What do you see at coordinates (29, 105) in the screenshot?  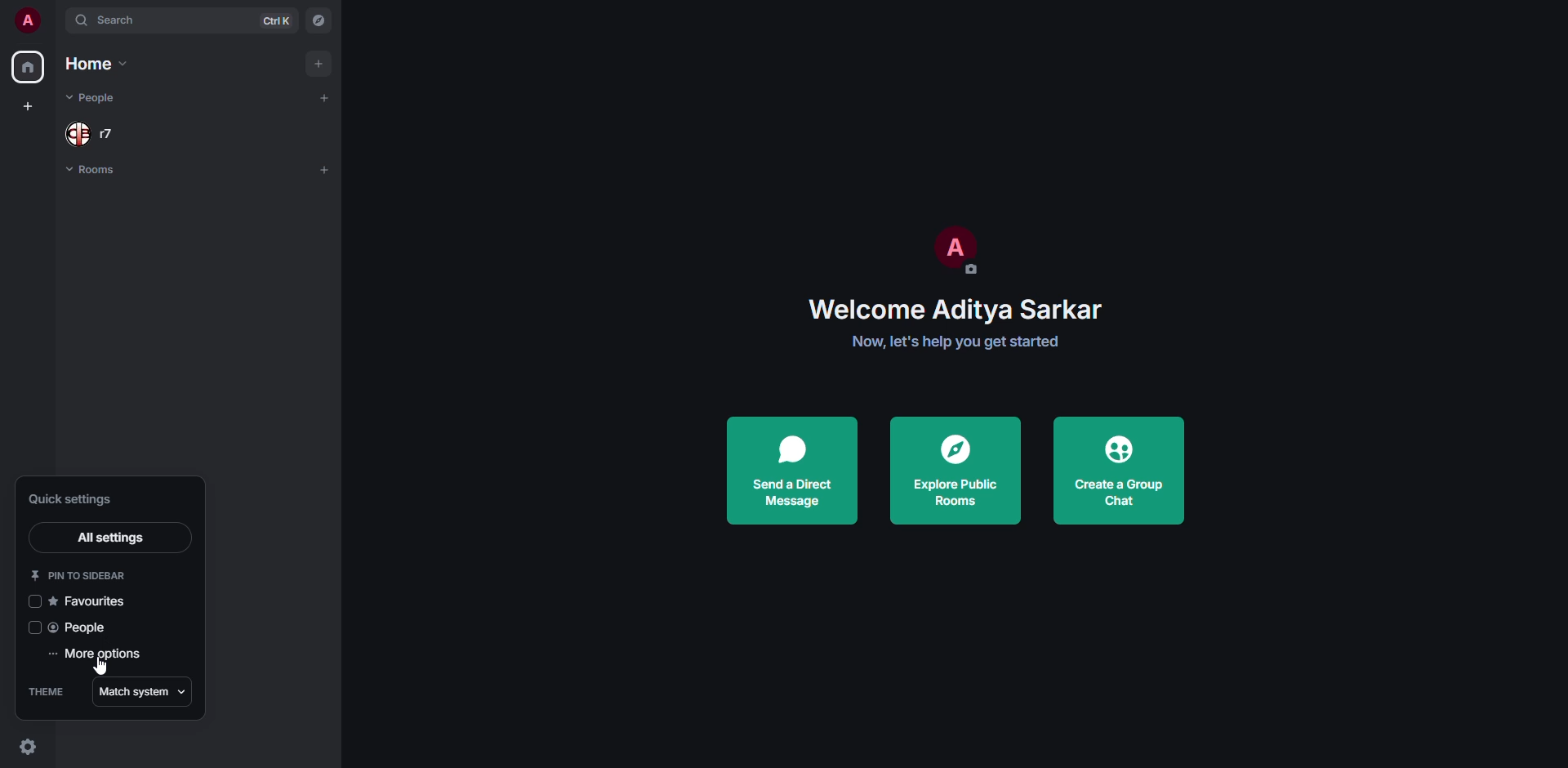 I see `create space` at bounding box center [29, 105].